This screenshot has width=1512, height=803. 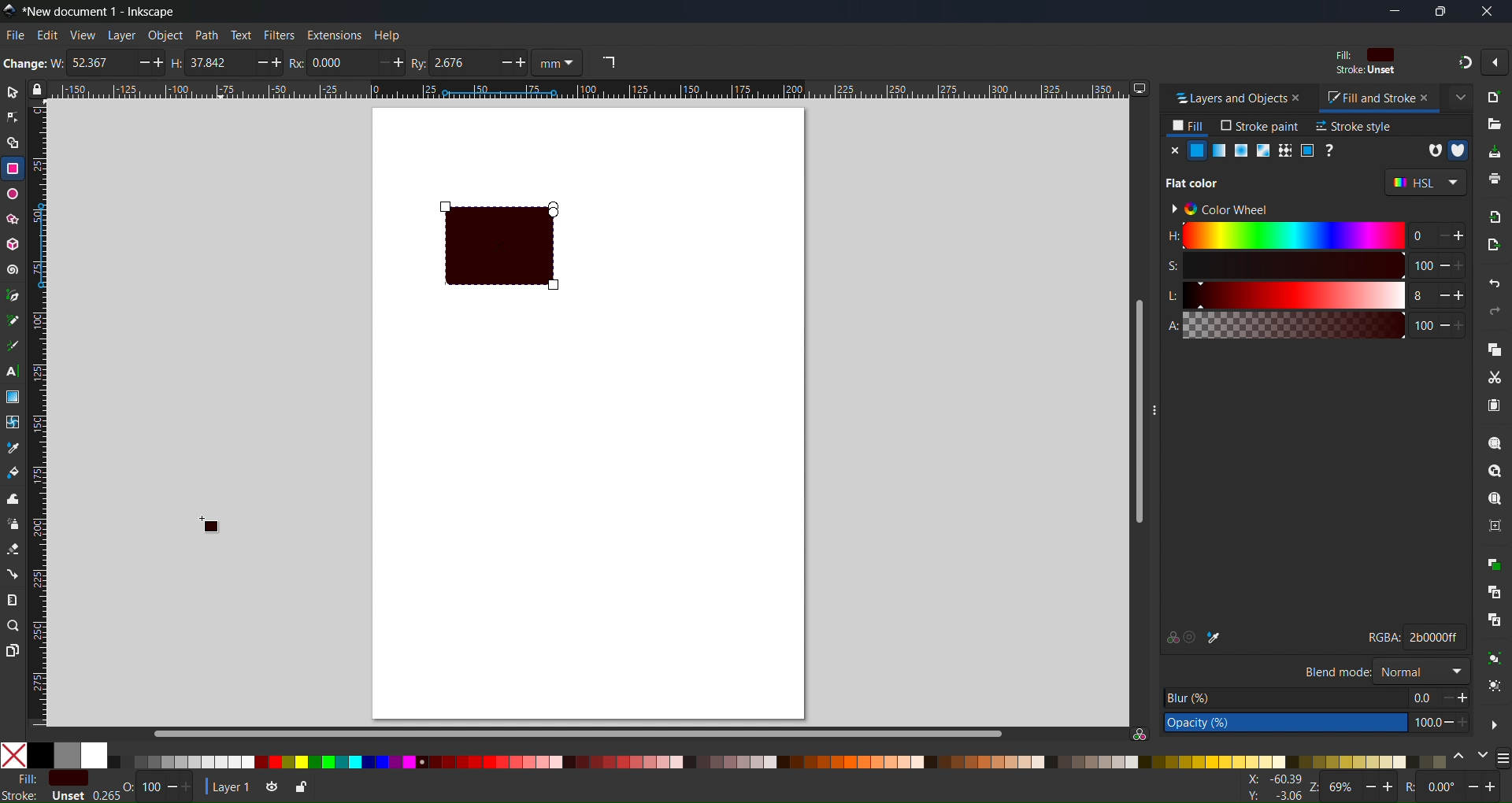 What do you see at coordinates (1493, 787) in the screenshot?
I see `Rotation maximize` at bounding box center [1493, 787].